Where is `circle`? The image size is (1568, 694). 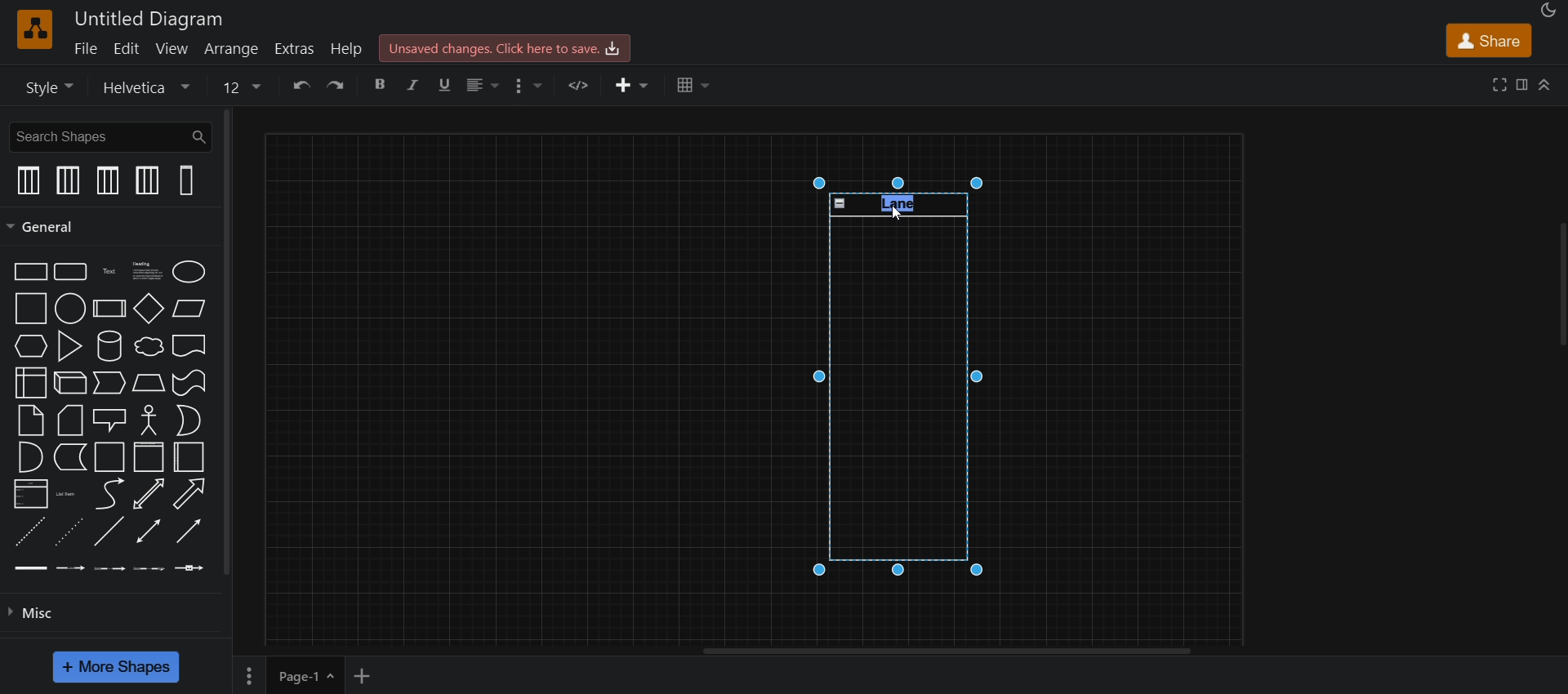 circle is located at coordinates (70, 309).